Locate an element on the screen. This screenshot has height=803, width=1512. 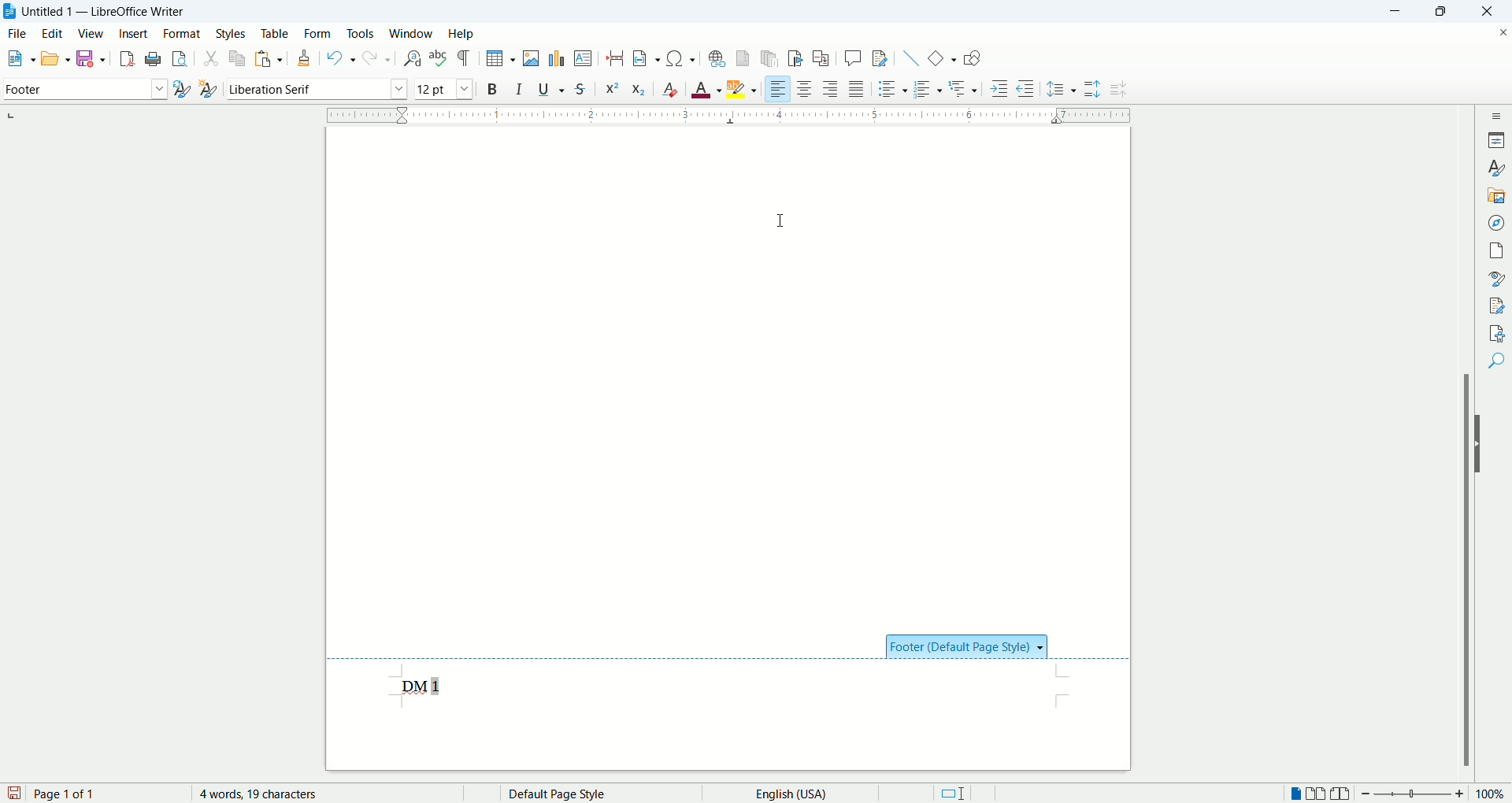
page style is located at coordinates (587, 794).